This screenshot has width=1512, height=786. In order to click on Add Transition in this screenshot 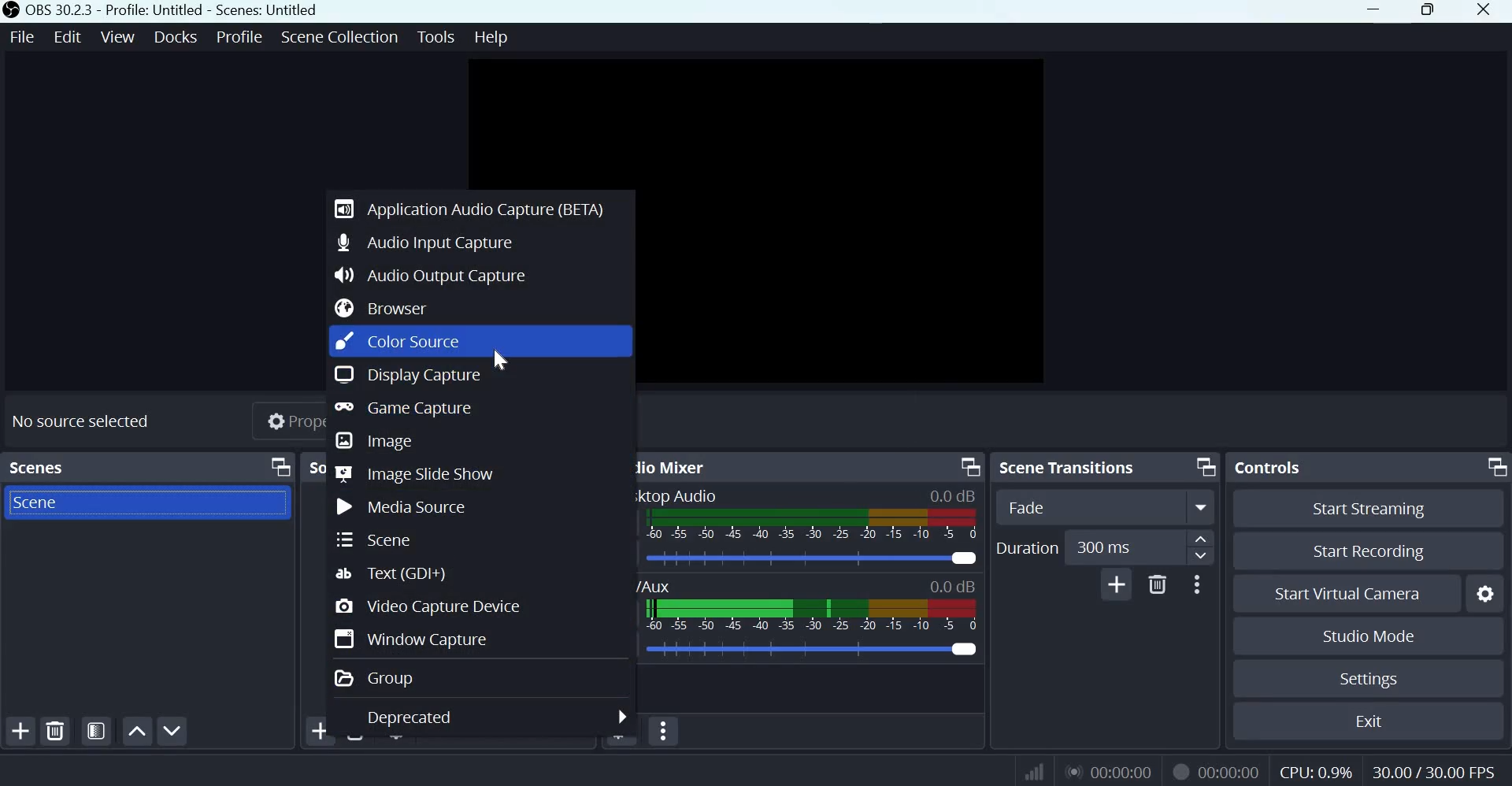, I will do `click(1116, 584)`.